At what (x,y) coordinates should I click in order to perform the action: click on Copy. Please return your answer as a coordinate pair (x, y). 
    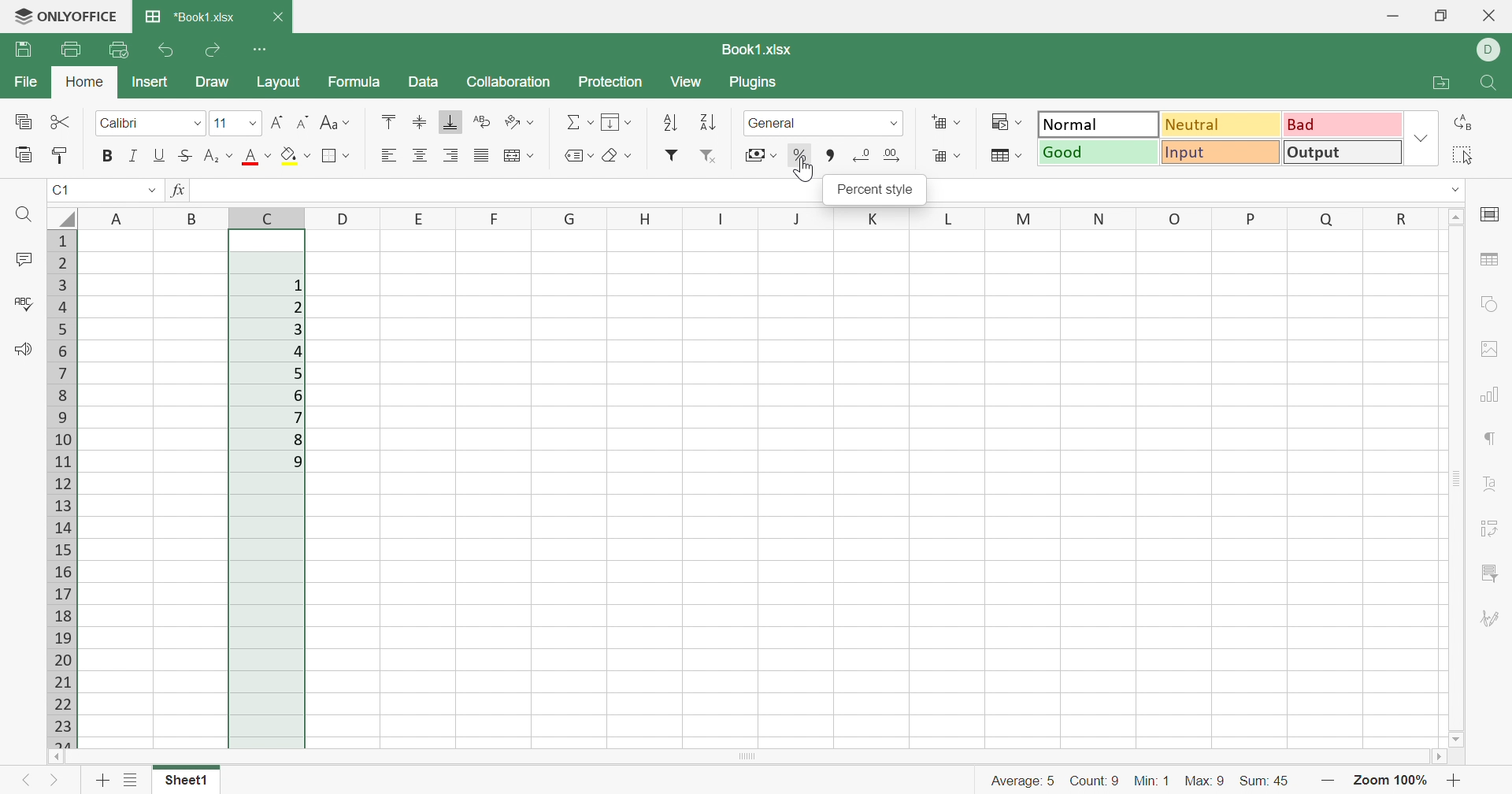
    Looking at the image, I should click on (22, 122).